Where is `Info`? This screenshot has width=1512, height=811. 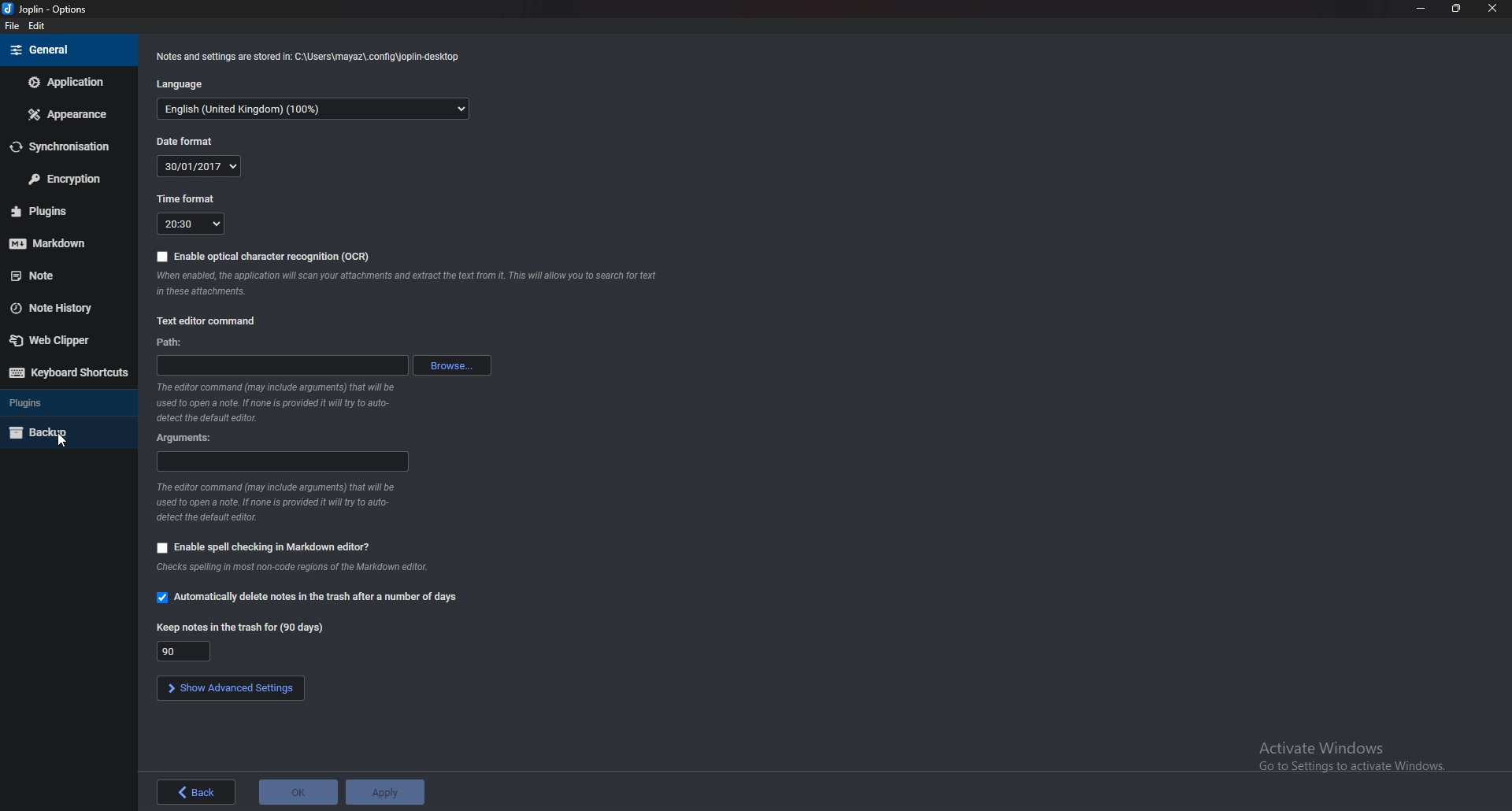
Info is located at coordinates (309, 57).